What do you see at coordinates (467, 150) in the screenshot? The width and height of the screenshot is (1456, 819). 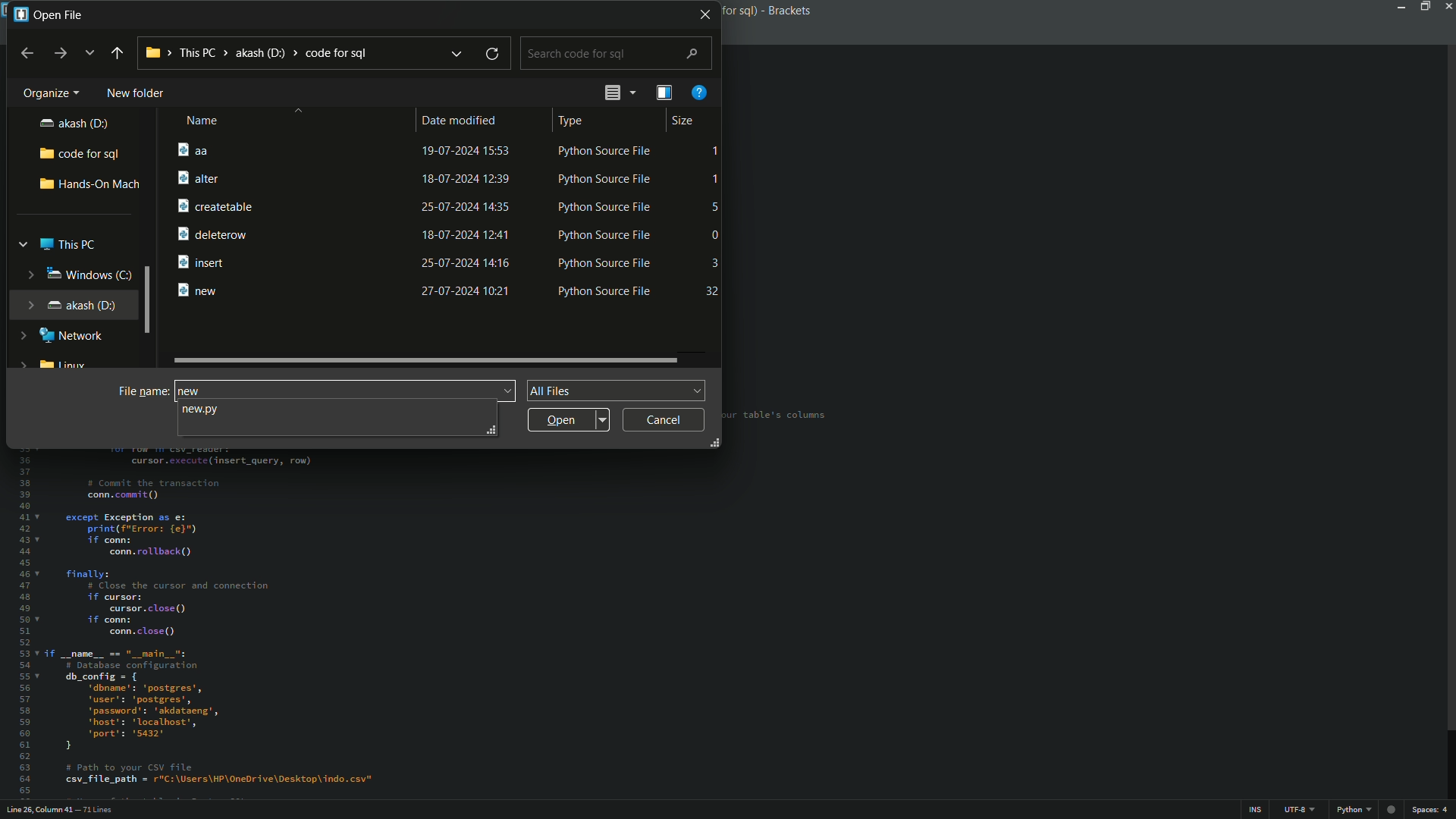 I see `19-07-2024 15:53` at bounding box center [467, 150].